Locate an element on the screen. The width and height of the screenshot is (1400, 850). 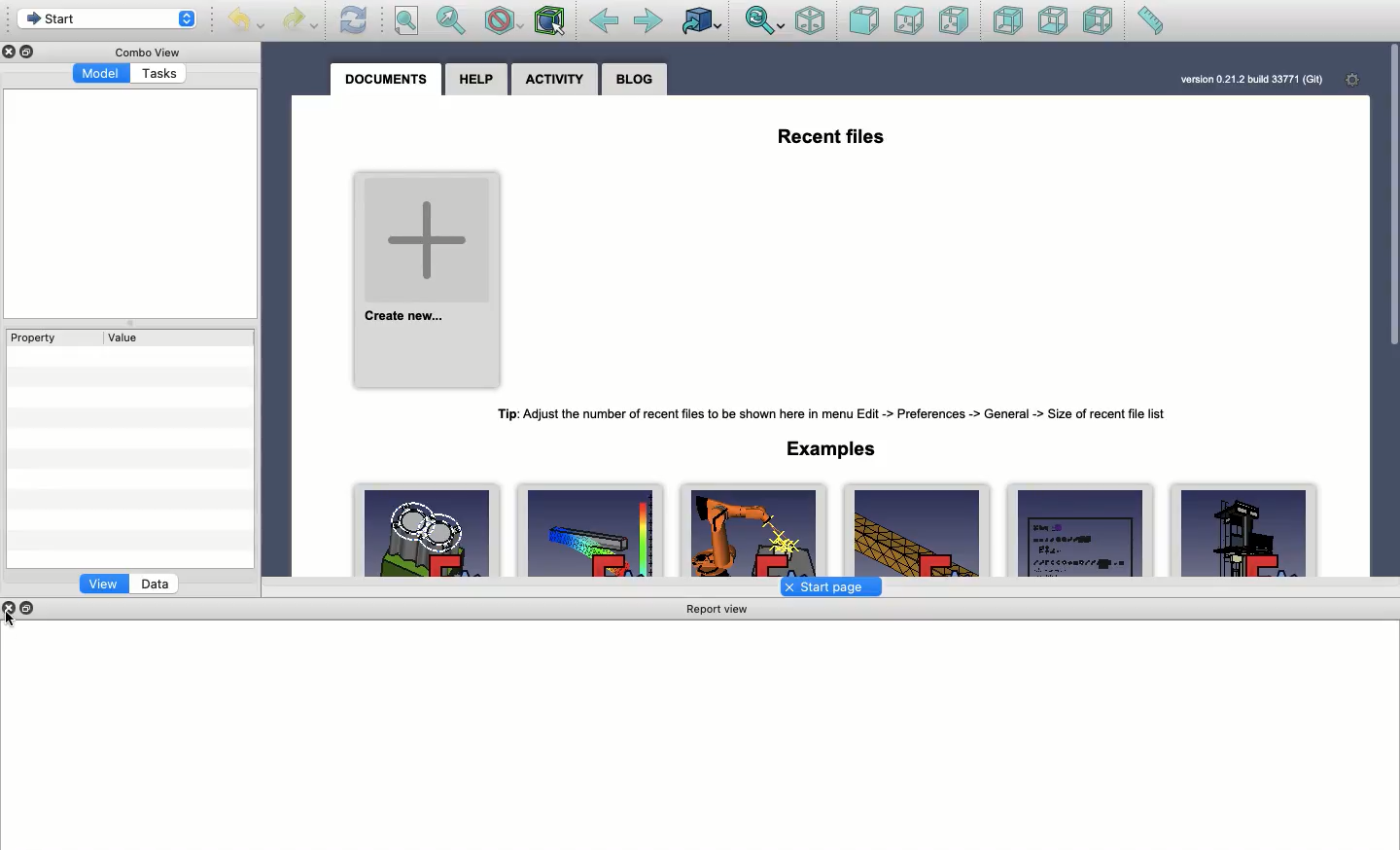
Forward  is located at coordinates (651, 21).